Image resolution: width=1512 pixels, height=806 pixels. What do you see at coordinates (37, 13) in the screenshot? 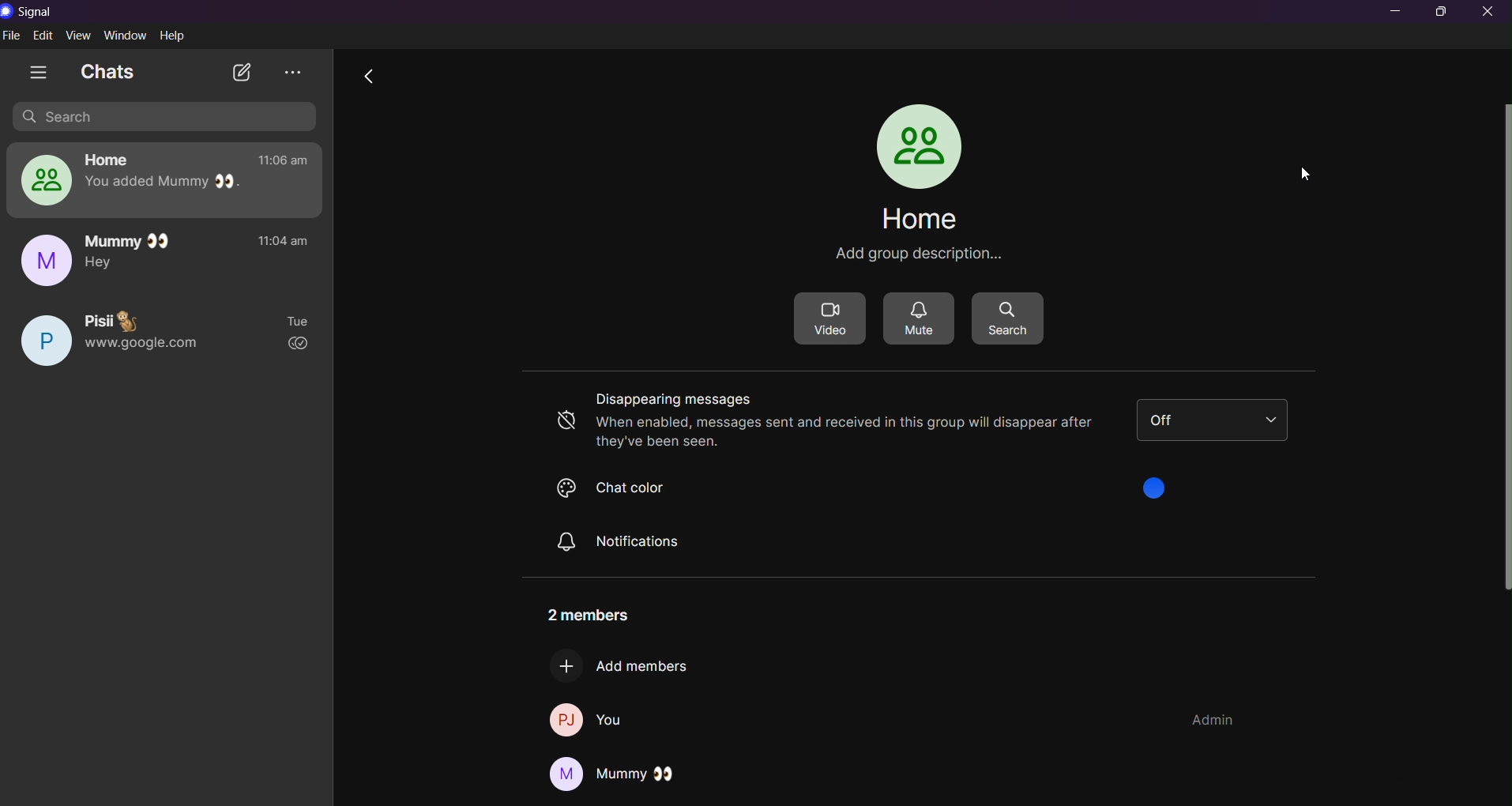
I see `title` at bounding box center [37, 13].